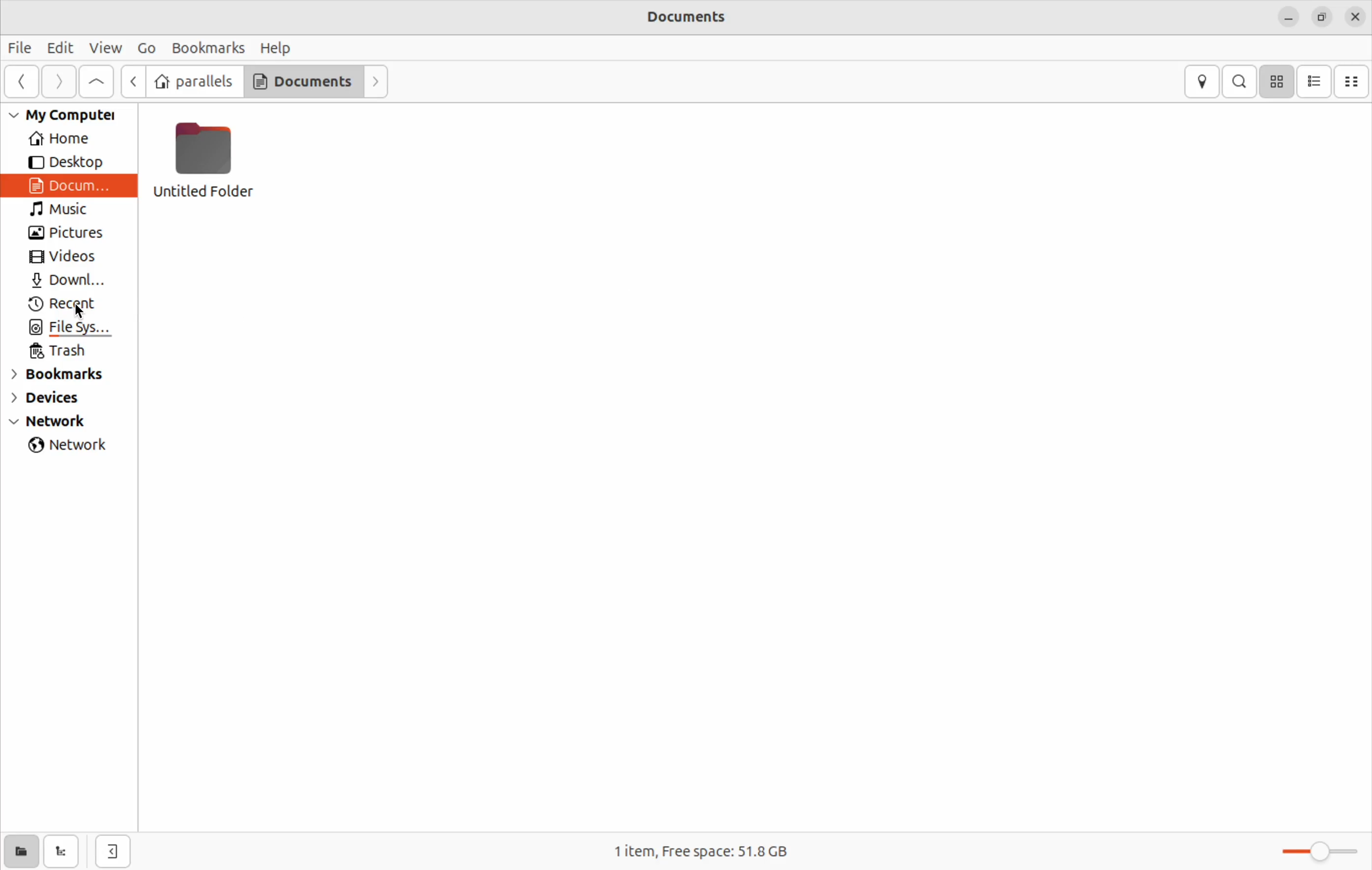 This screenshot has width=1372, height=870. Describe the element at coordinates (68, 234) in the screenshot. I see `pictures` at that location.